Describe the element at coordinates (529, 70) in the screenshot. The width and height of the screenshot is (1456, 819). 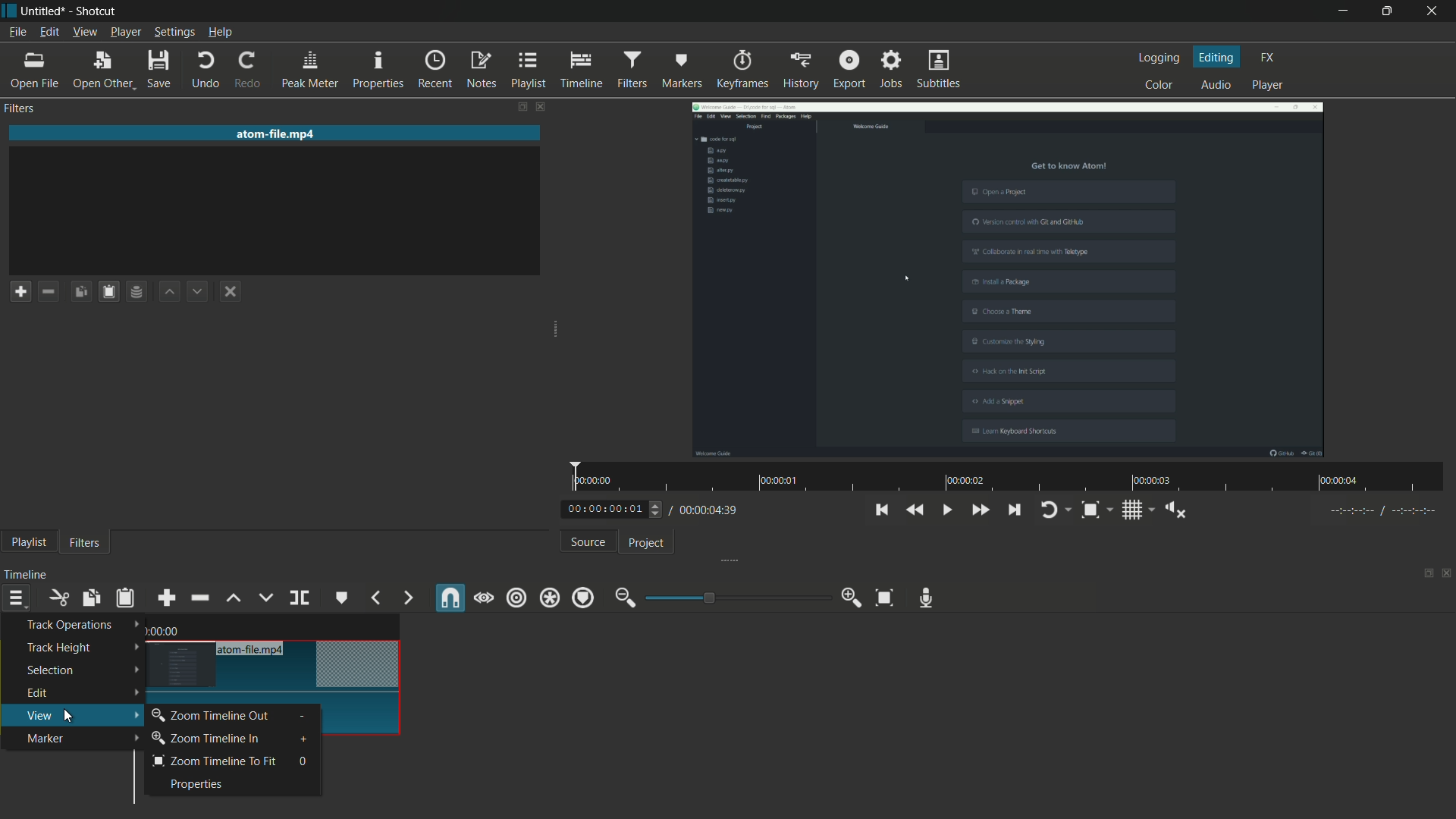
I see `playlist` at that location.